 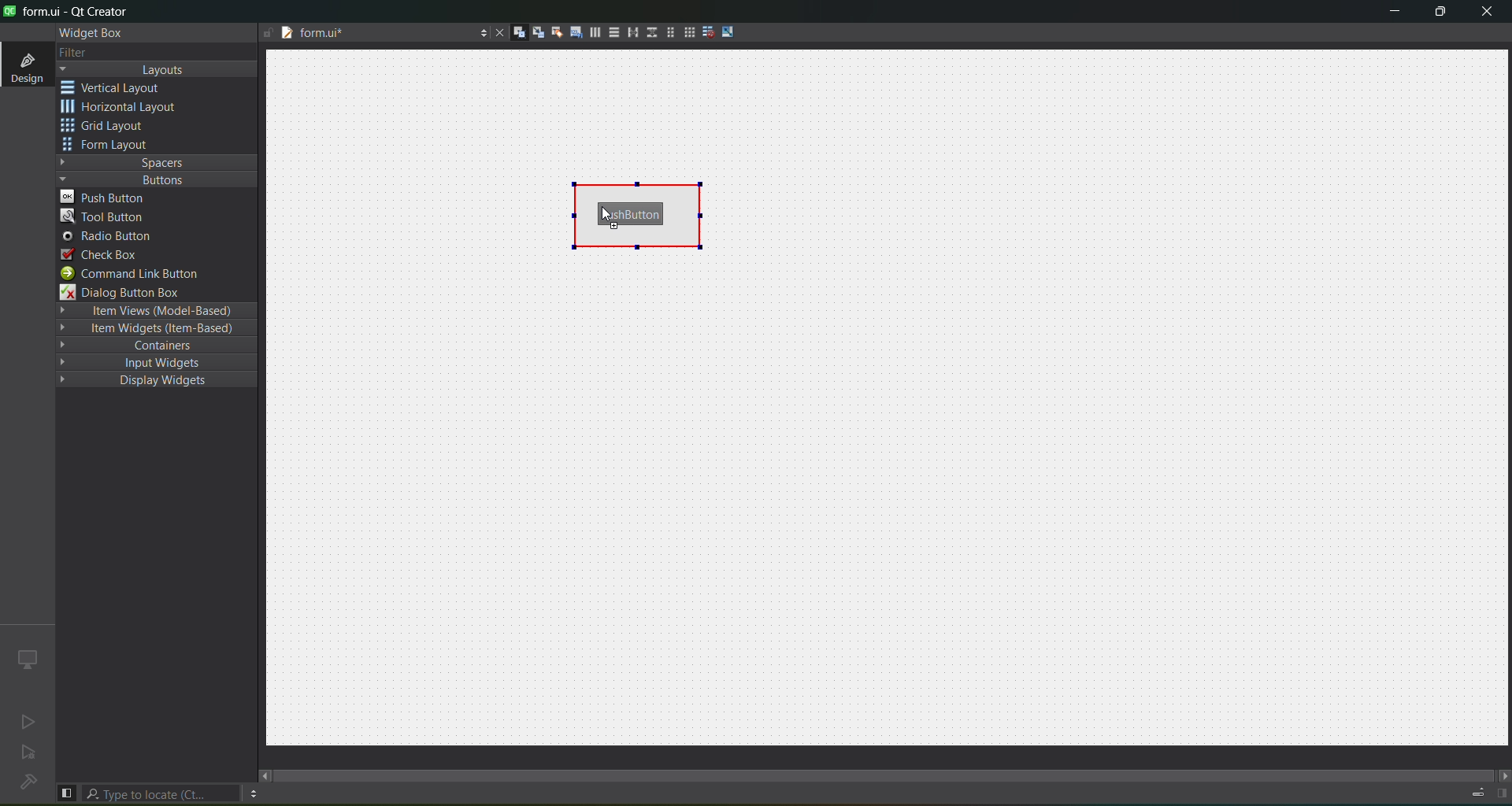 What do you see at coordinates (730, 31) in the screenshot?
I see `adjust size` at bounding box center [730, 31].